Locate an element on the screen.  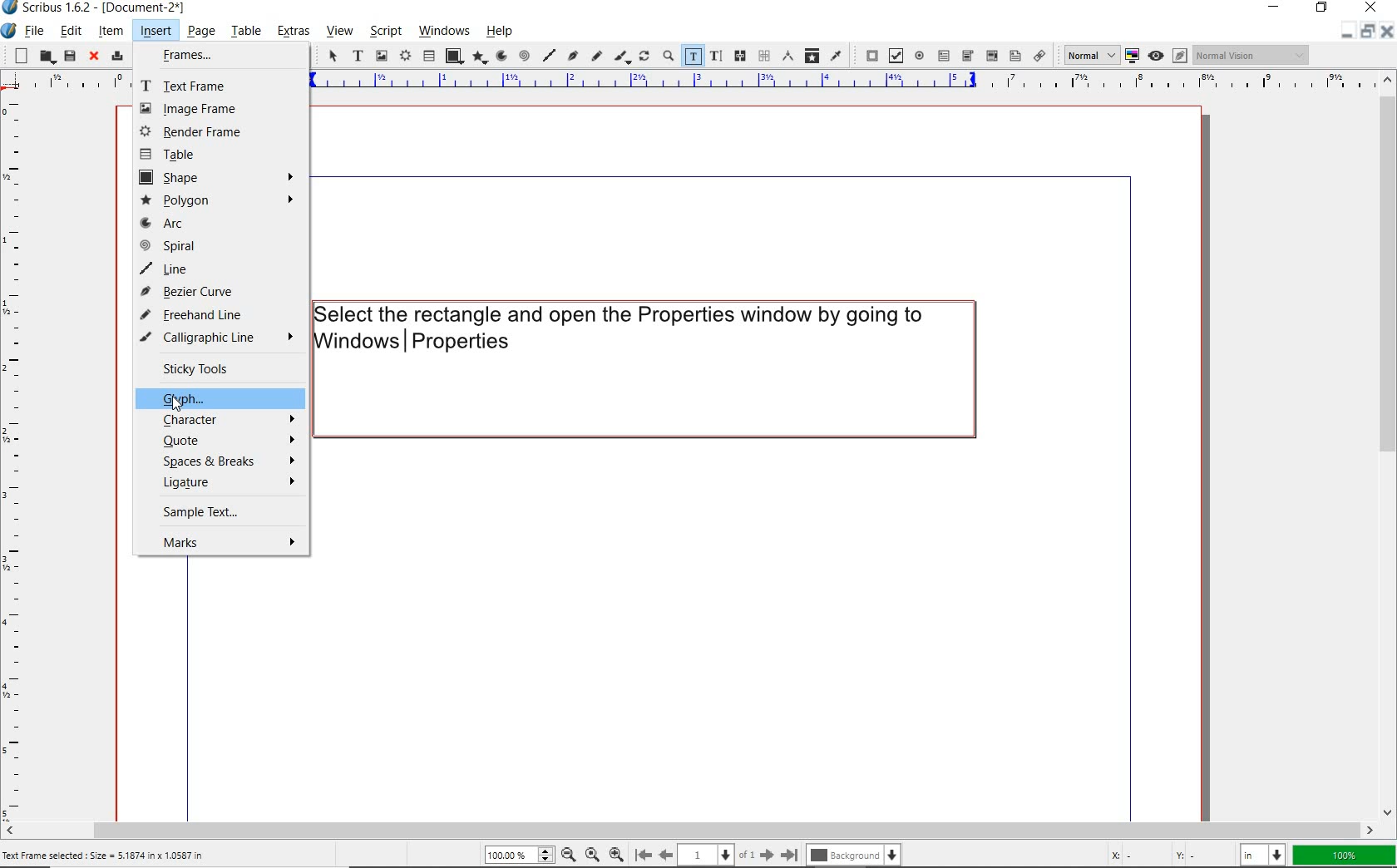
new is located at coordinates (17, 56).